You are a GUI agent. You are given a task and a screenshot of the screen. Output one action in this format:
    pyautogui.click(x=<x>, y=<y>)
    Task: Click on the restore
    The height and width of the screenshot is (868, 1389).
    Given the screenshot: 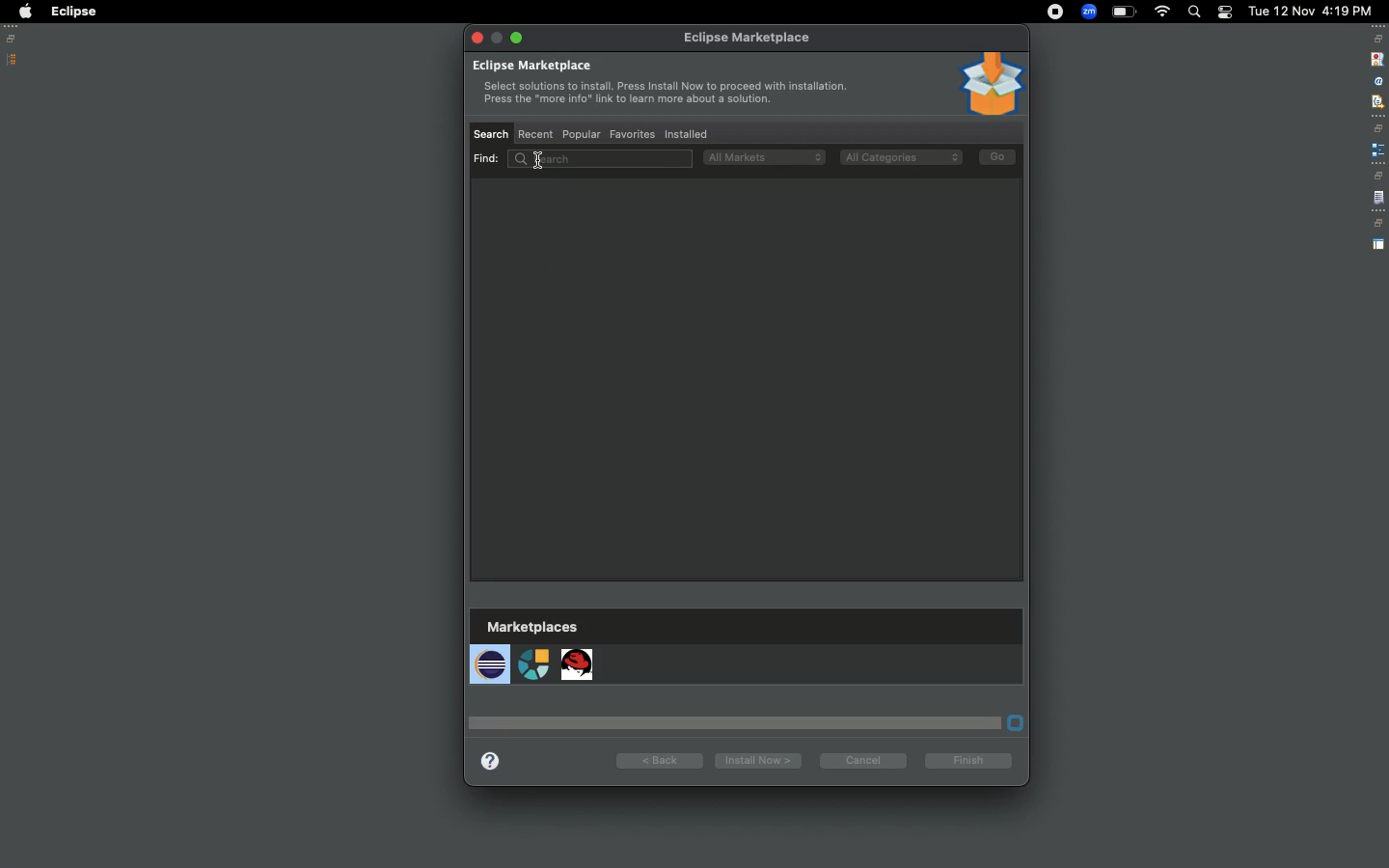 What is the action you would take?
    pyautogui.click(x=1377, y=224)
    